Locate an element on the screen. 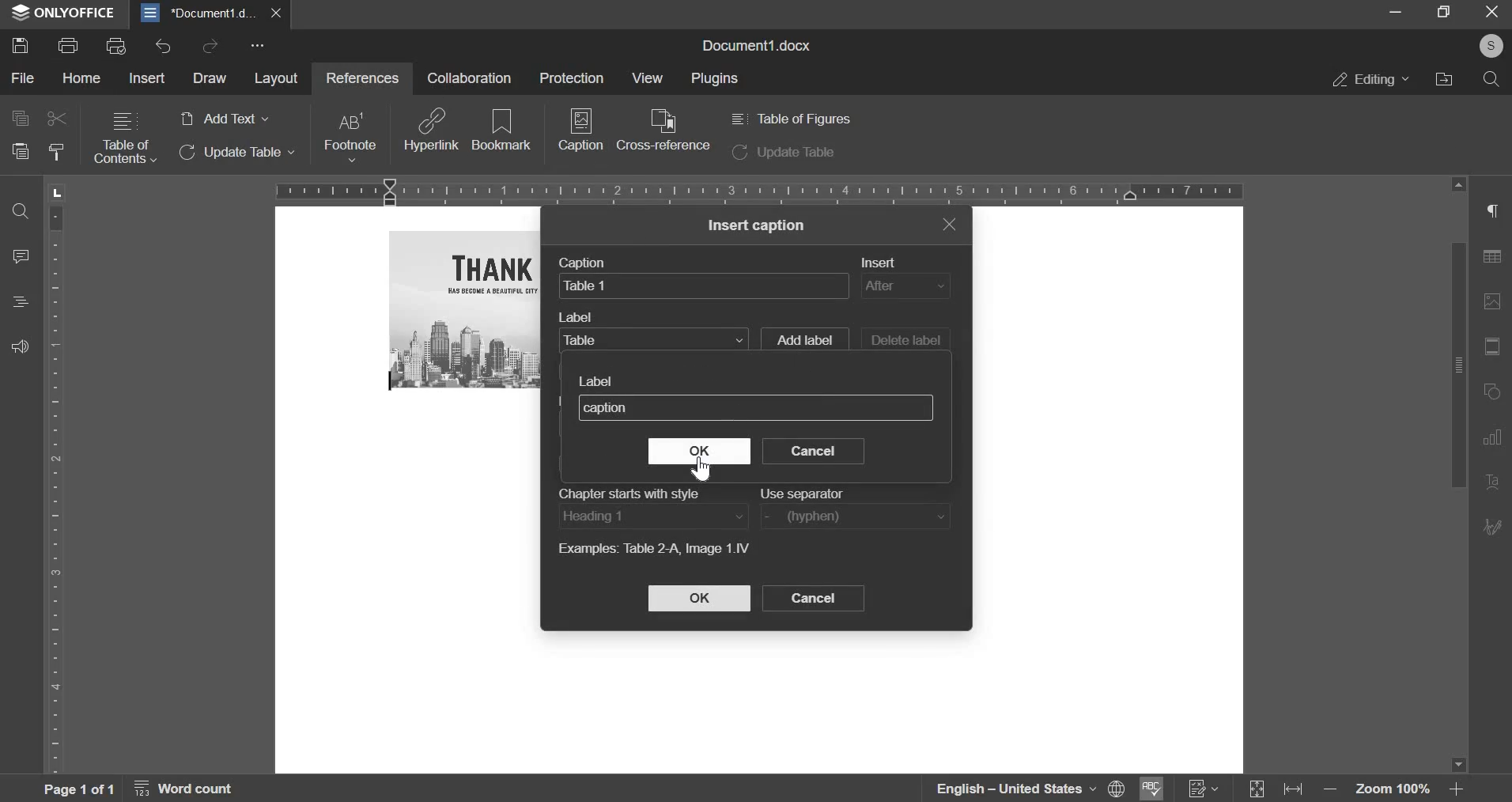  caption is located at coordinates (581, 135).